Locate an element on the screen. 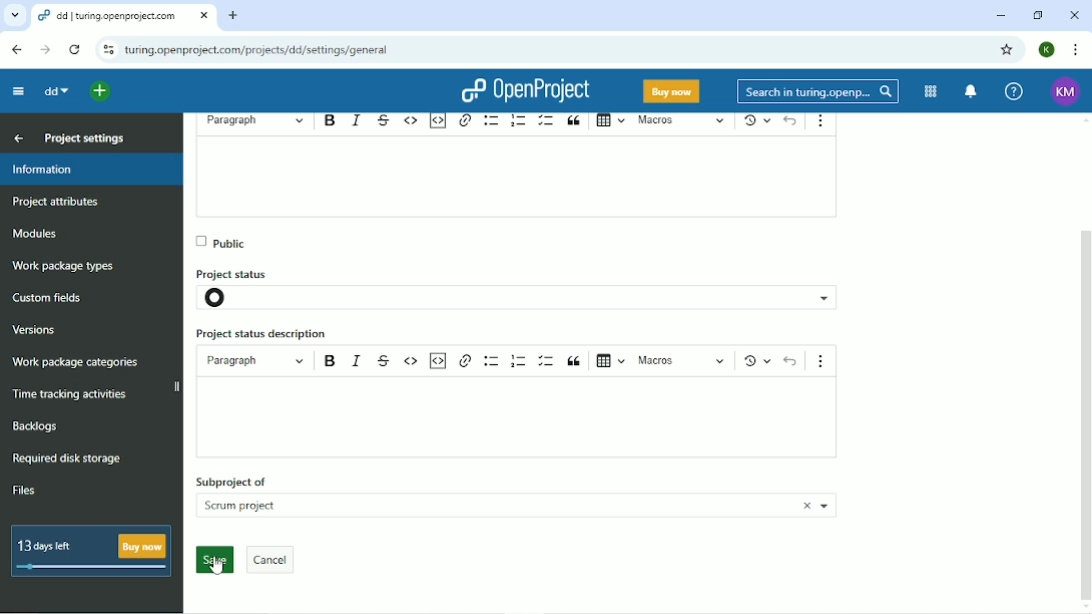  Collapse project menu is located at coordinates (19, 92).